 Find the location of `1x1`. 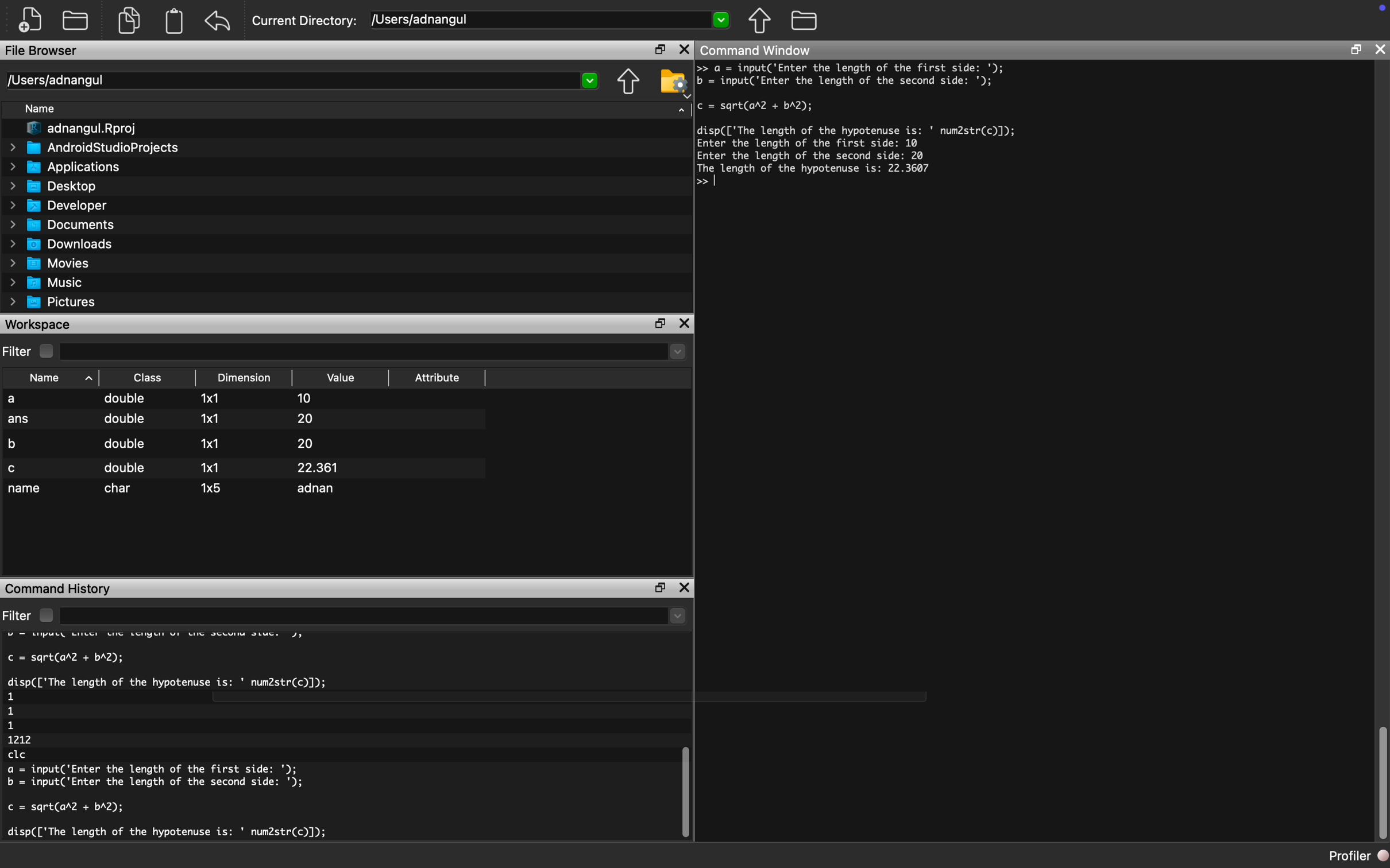

1x1 is located at coordinates (210, 468).